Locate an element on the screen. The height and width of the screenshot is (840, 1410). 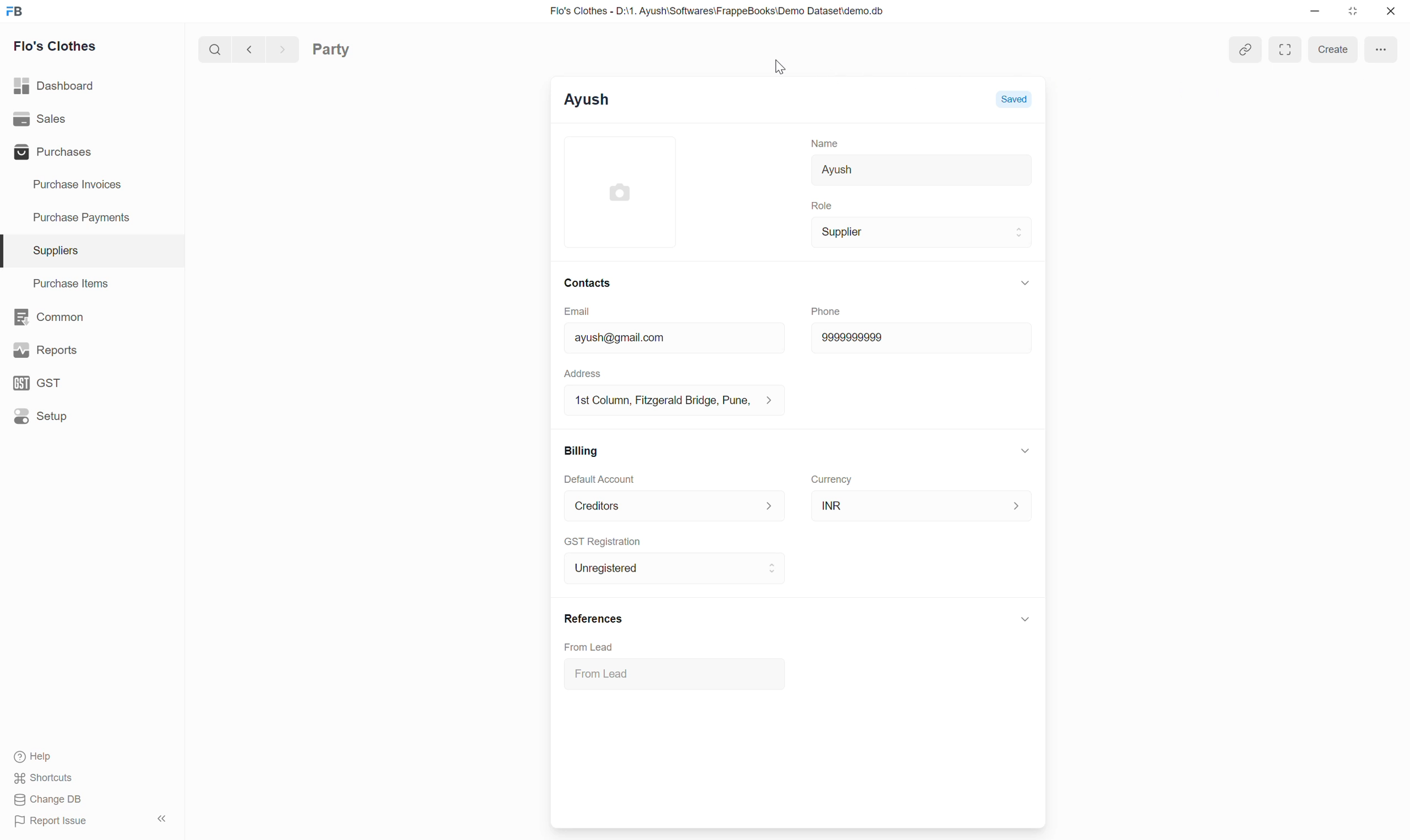
Saved is located at coordinates (1014, 100).